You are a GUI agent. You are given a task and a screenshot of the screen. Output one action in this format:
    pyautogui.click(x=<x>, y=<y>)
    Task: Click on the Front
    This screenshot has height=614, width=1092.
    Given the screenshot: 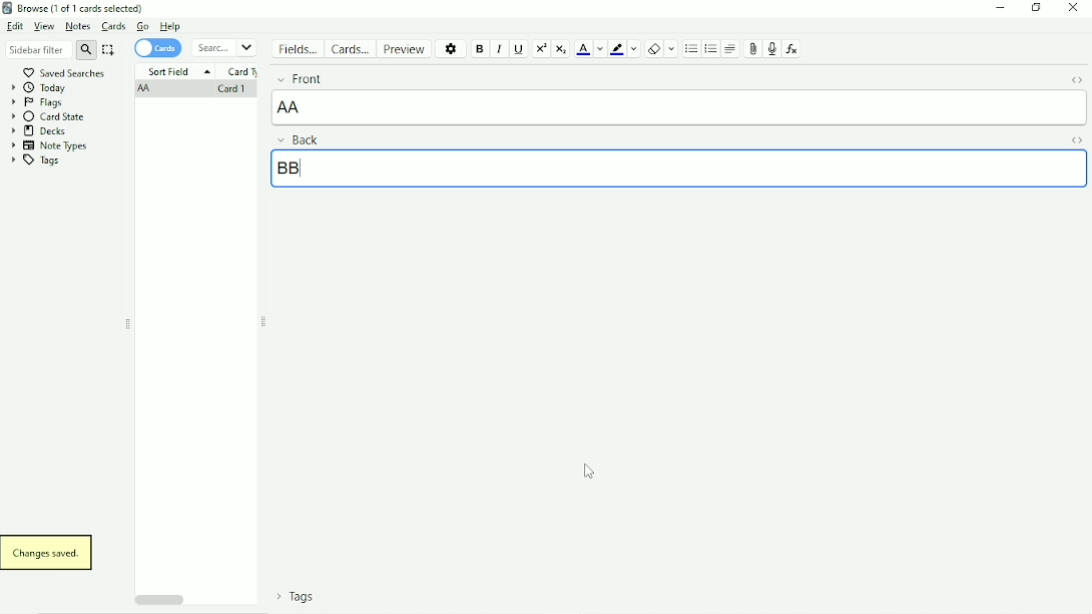 What is the action you would take?
    pyautogui.click(x=299, y=78)
    